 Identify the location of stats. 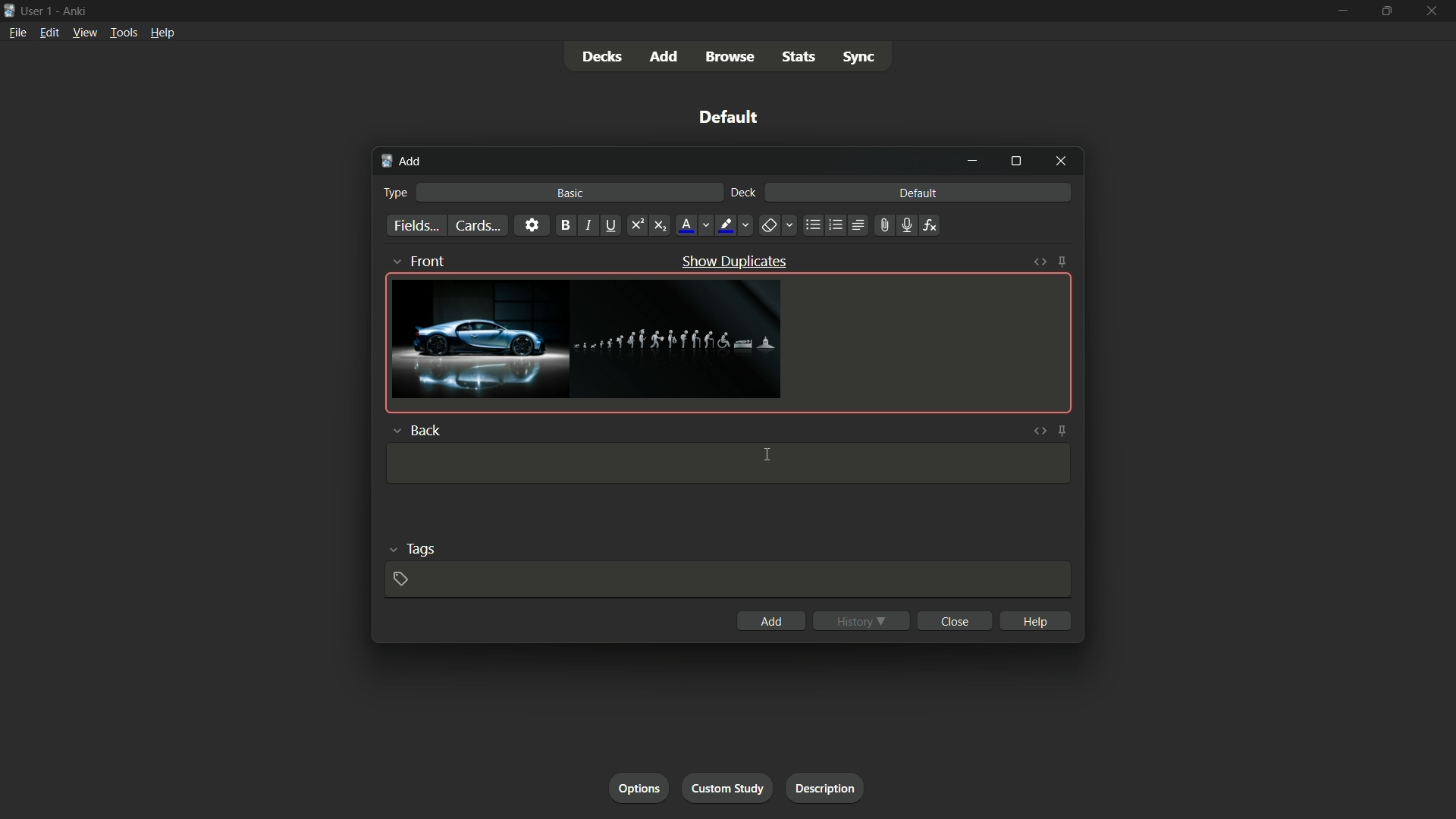
(799, 58).